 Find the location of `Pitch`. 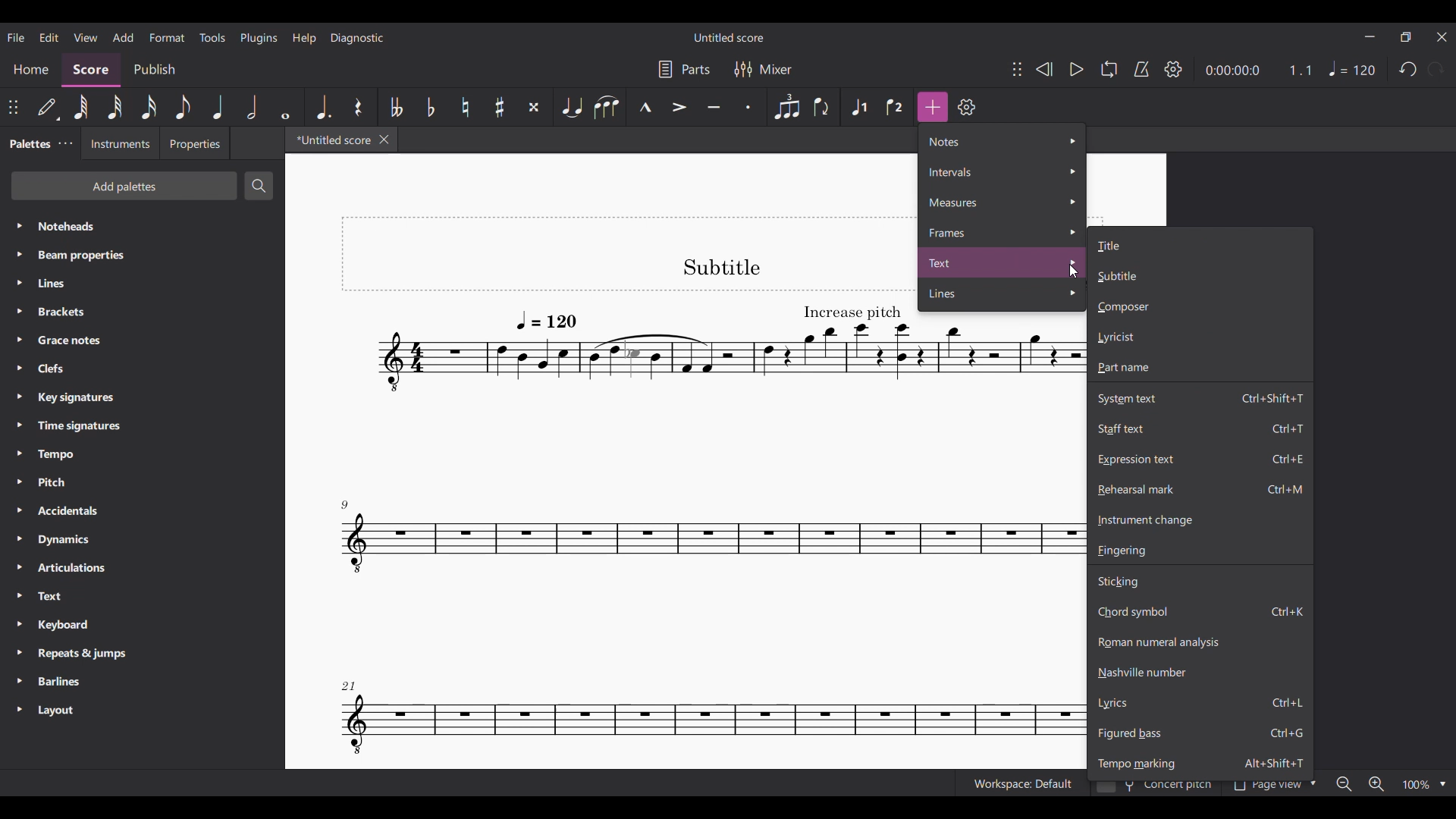

Pitch is located at coordinates (143, 482).